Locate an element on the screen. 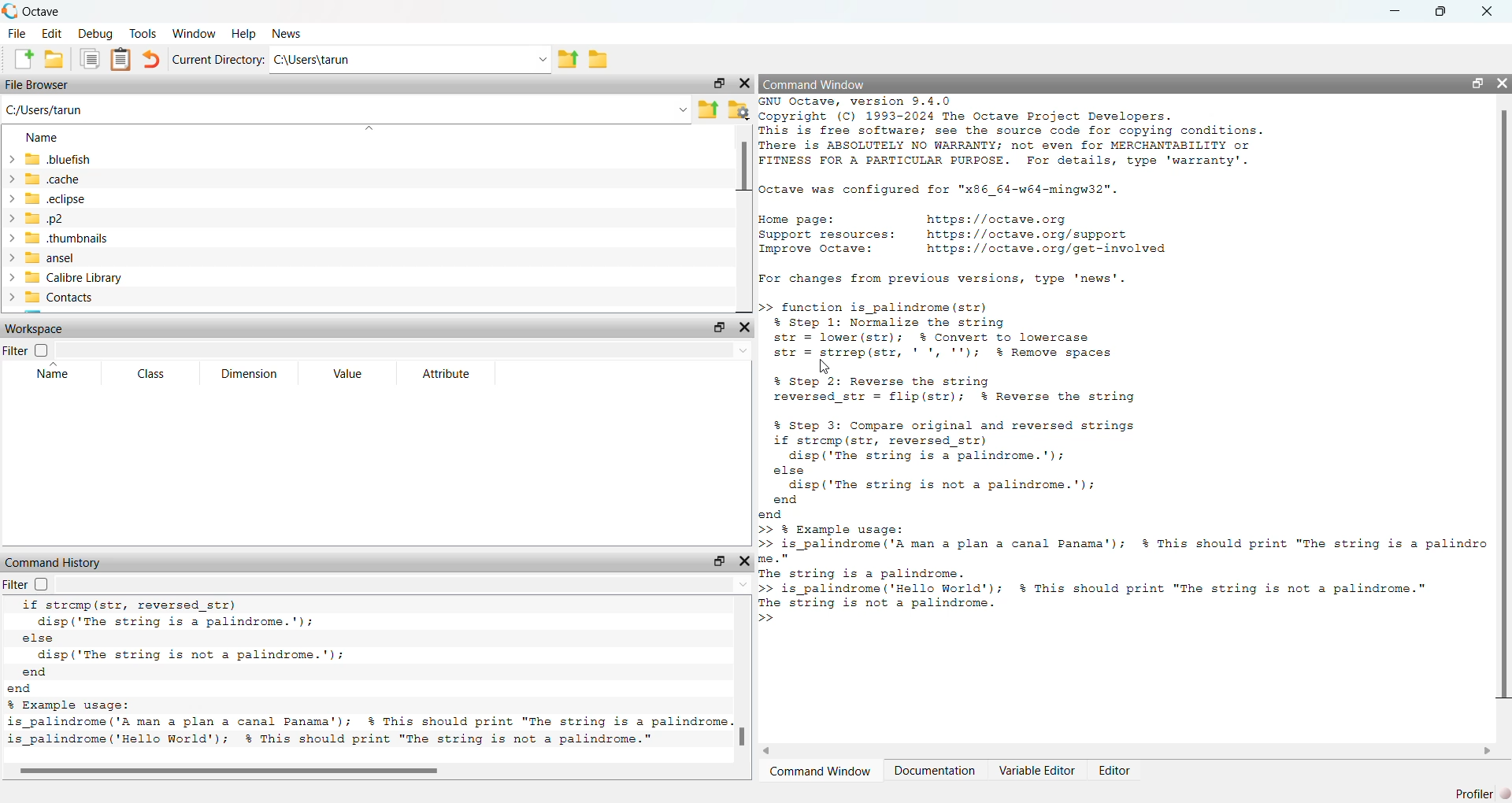 The image size is (1512, 803). current directory is located at coordinates (217, 59).